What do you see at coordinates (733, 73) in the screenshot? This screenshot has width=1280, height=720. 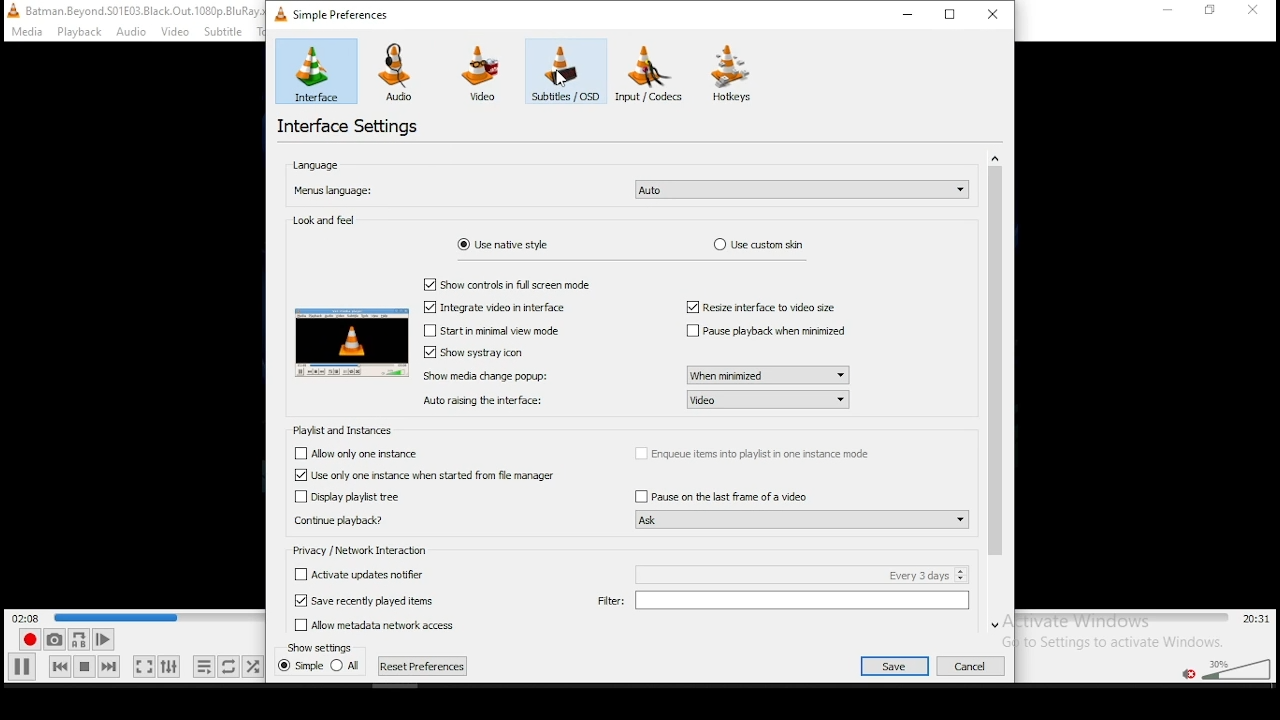 I see `hotkeys` at bounding box center [733, 73].